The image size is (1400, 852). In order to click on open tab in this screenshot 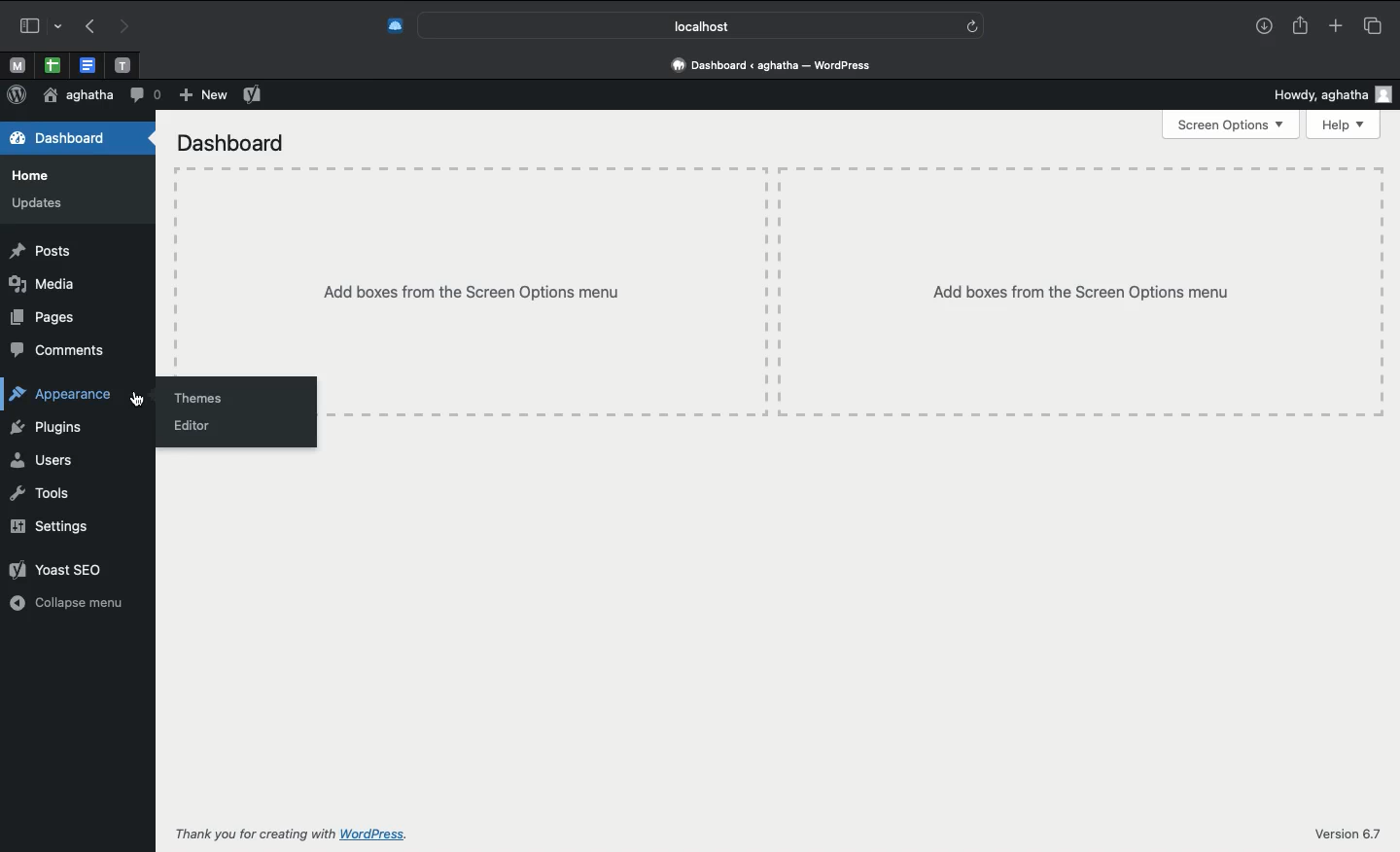, I will do `click(122, 66)`.